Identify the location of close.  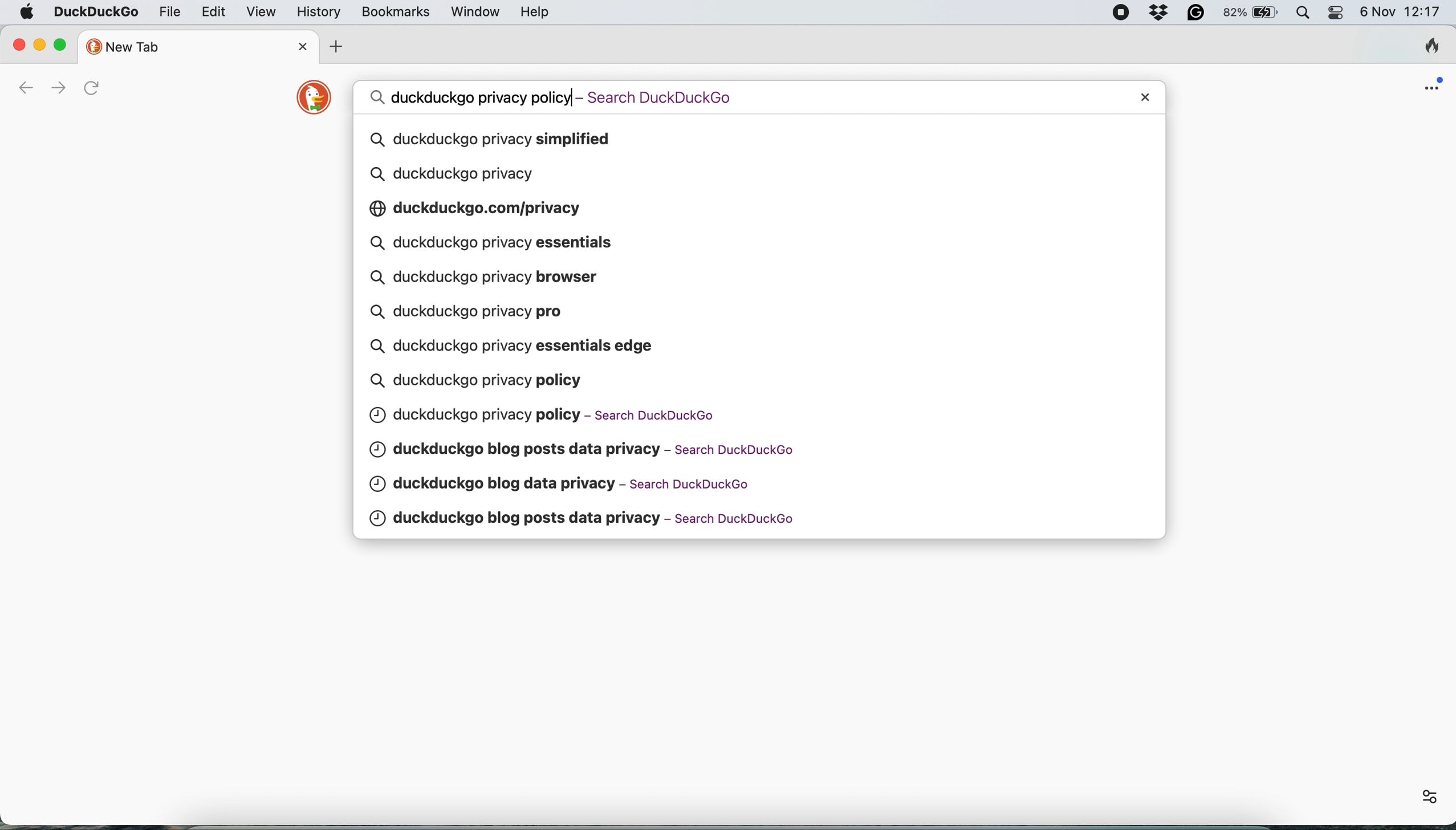
(15, 45).